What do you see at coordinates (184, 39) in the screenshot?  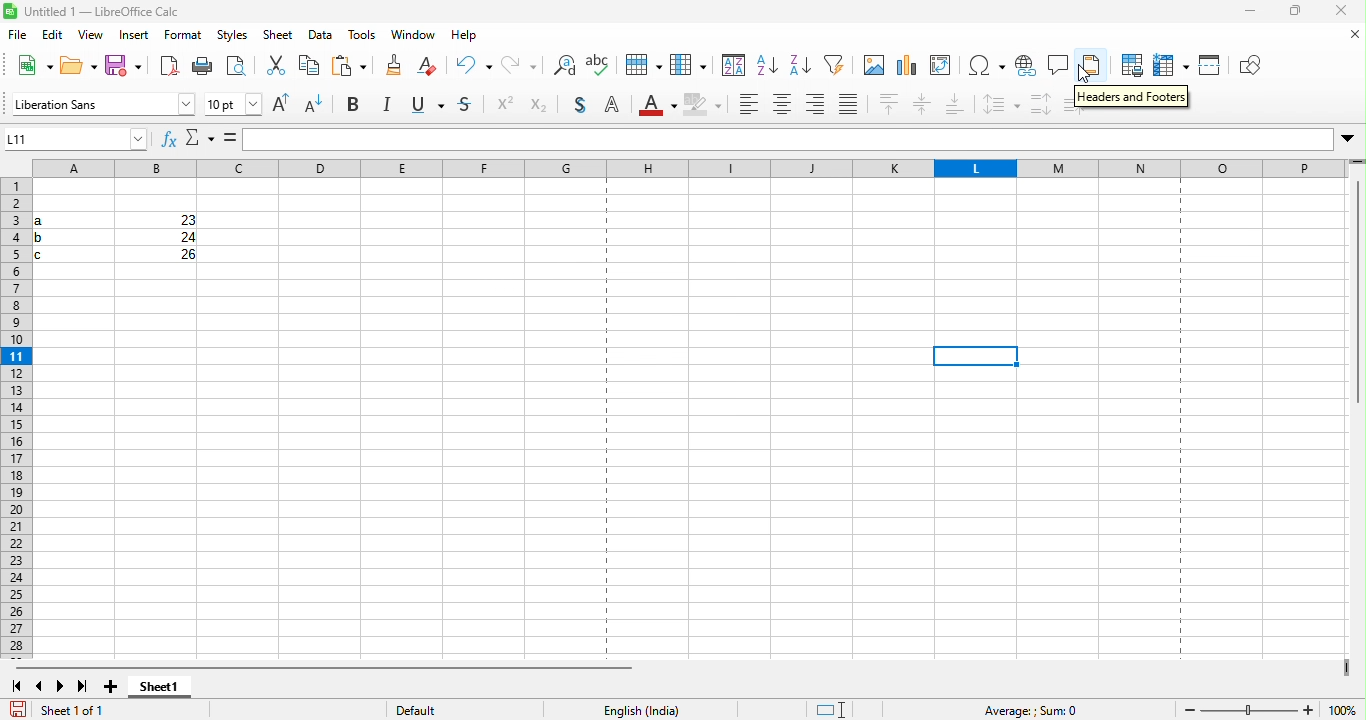 I see `format` at bounding box center [184, 39].